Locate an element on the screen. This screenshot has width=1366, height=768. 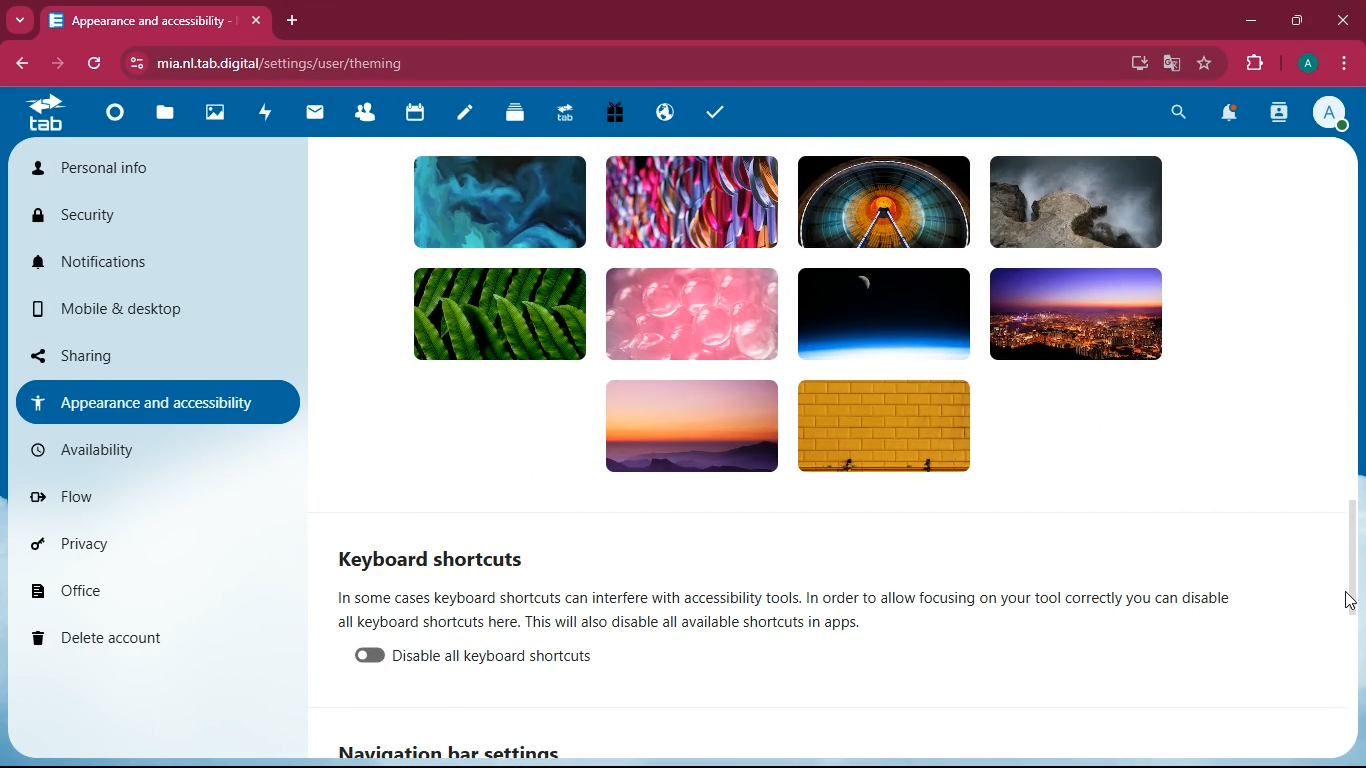
close is located at coordinates (1344, 21).